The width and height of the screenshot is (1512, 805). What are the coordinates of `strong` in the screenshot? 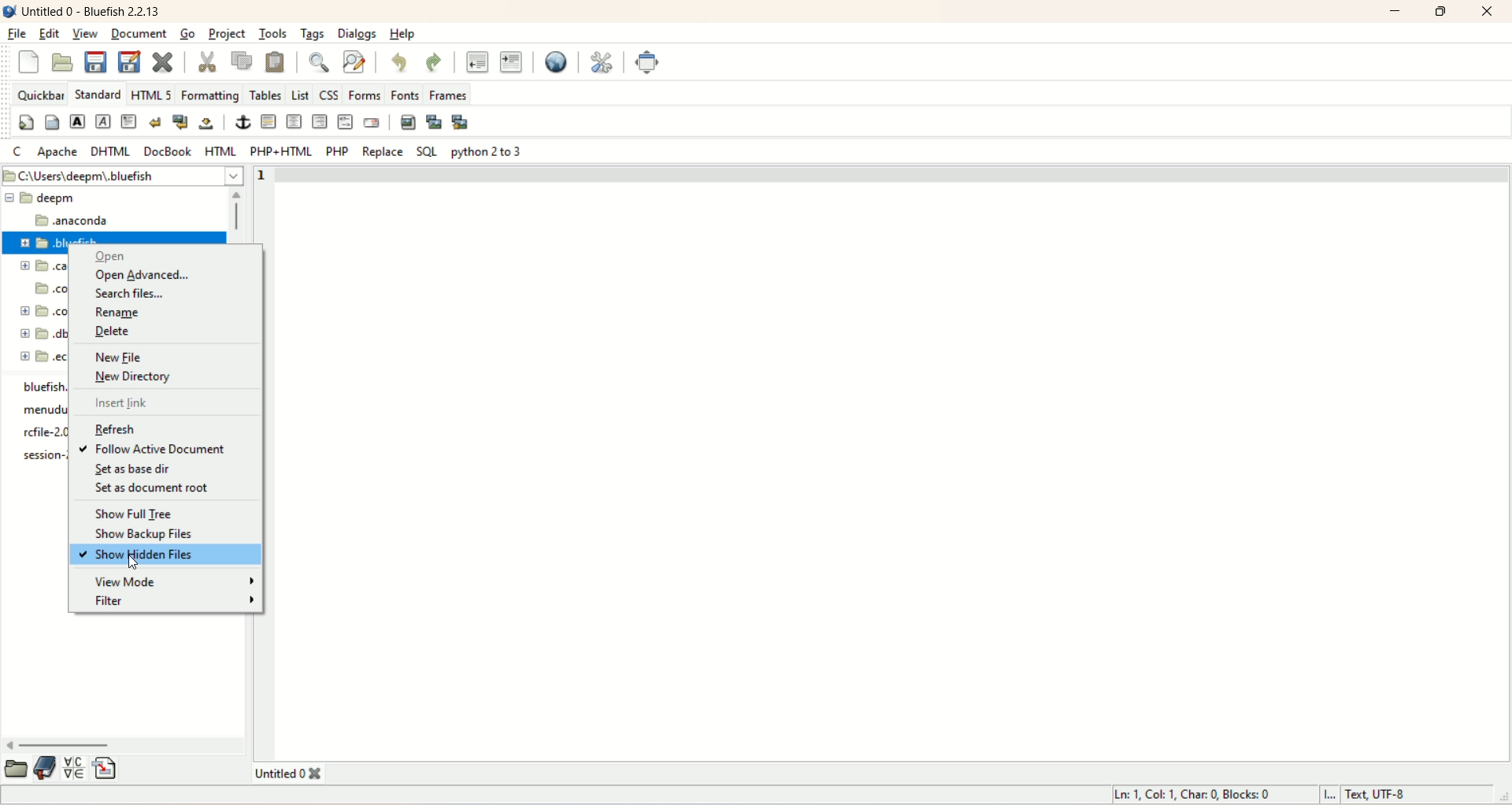 It's located at (78, 121).